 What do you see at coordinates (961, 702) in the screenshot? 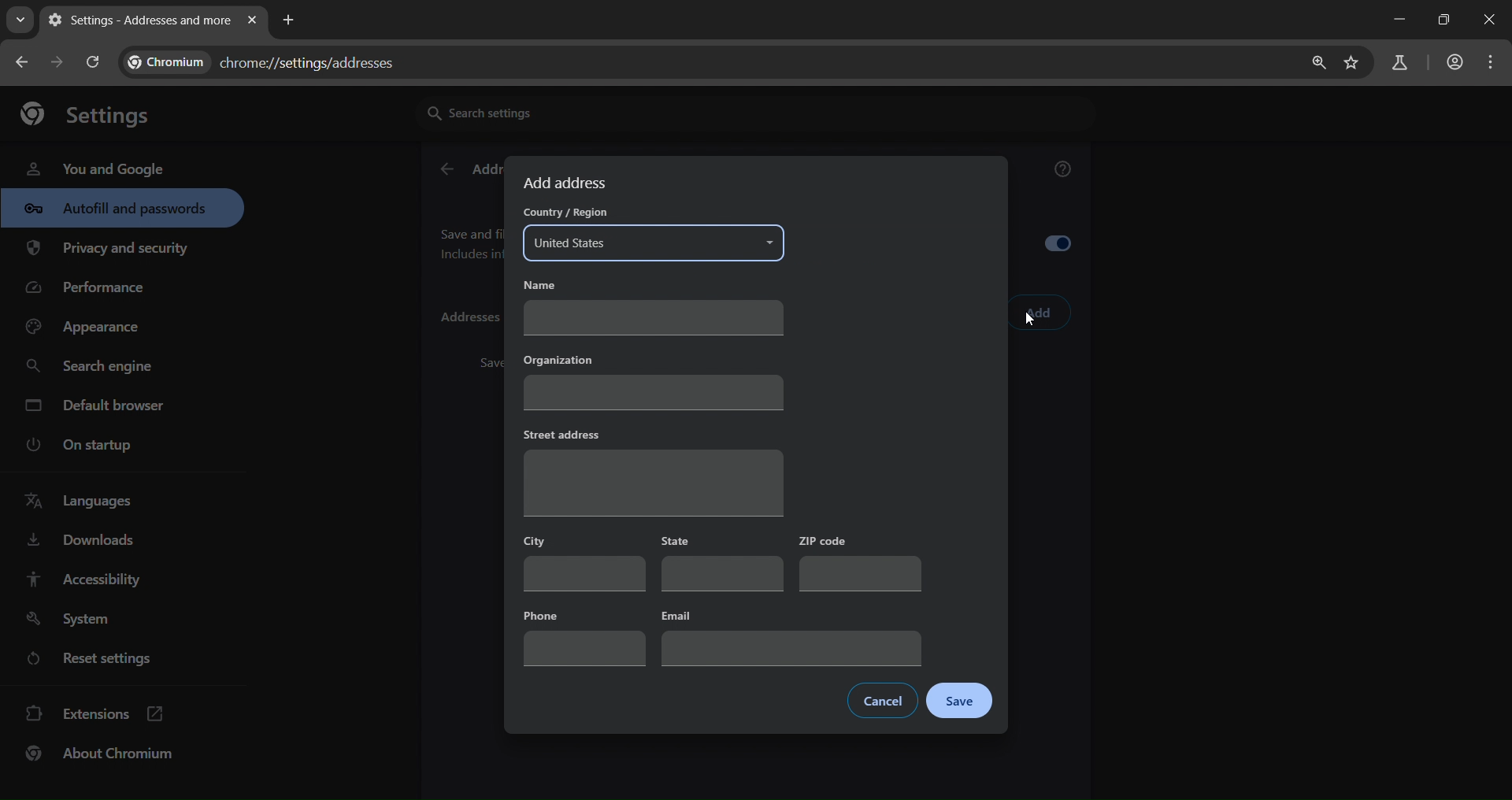
I see `save` at bounding box center [961, 702].